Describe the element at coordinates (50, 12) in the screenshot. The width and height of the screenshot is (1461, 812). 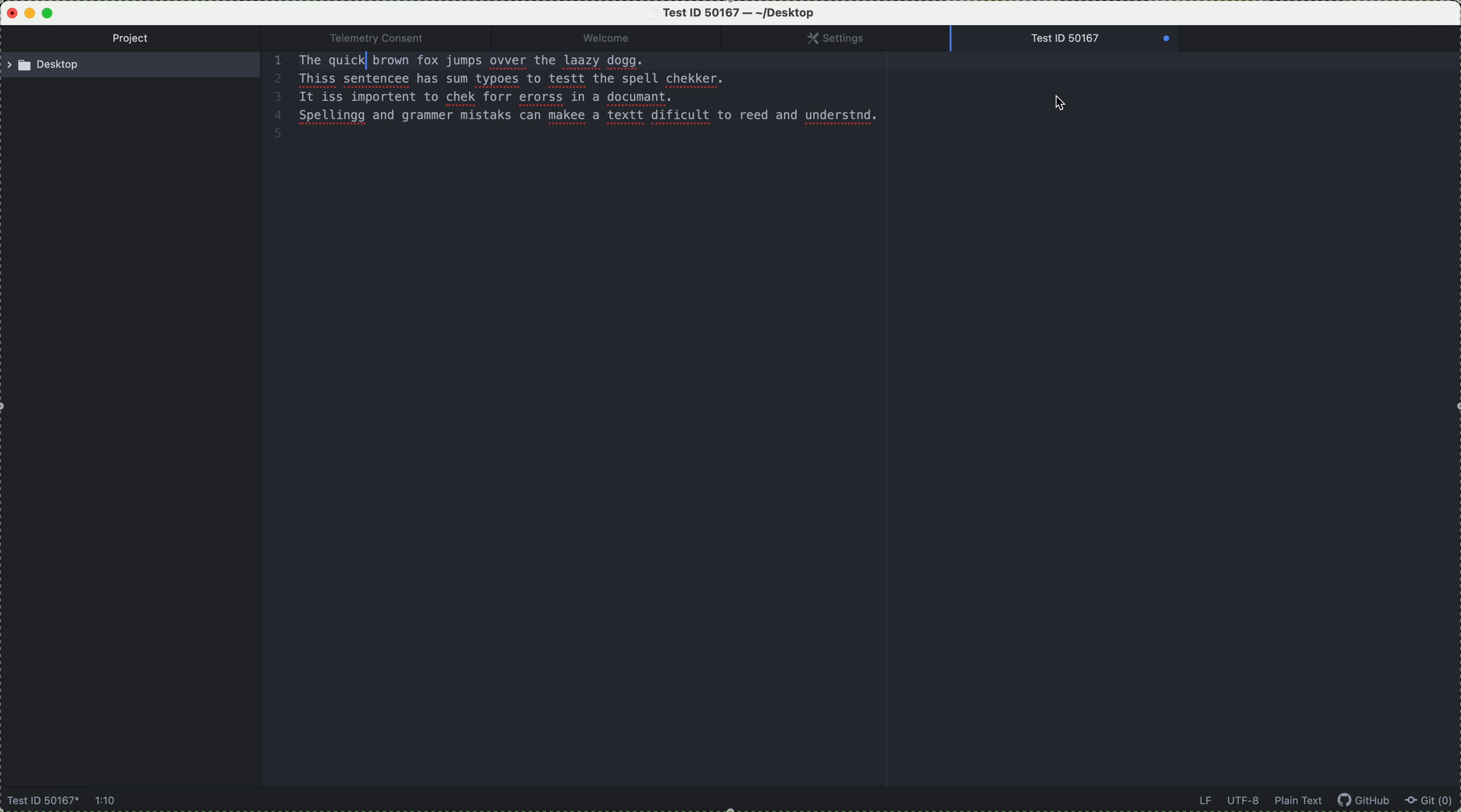
I see `maximize program` at that location.